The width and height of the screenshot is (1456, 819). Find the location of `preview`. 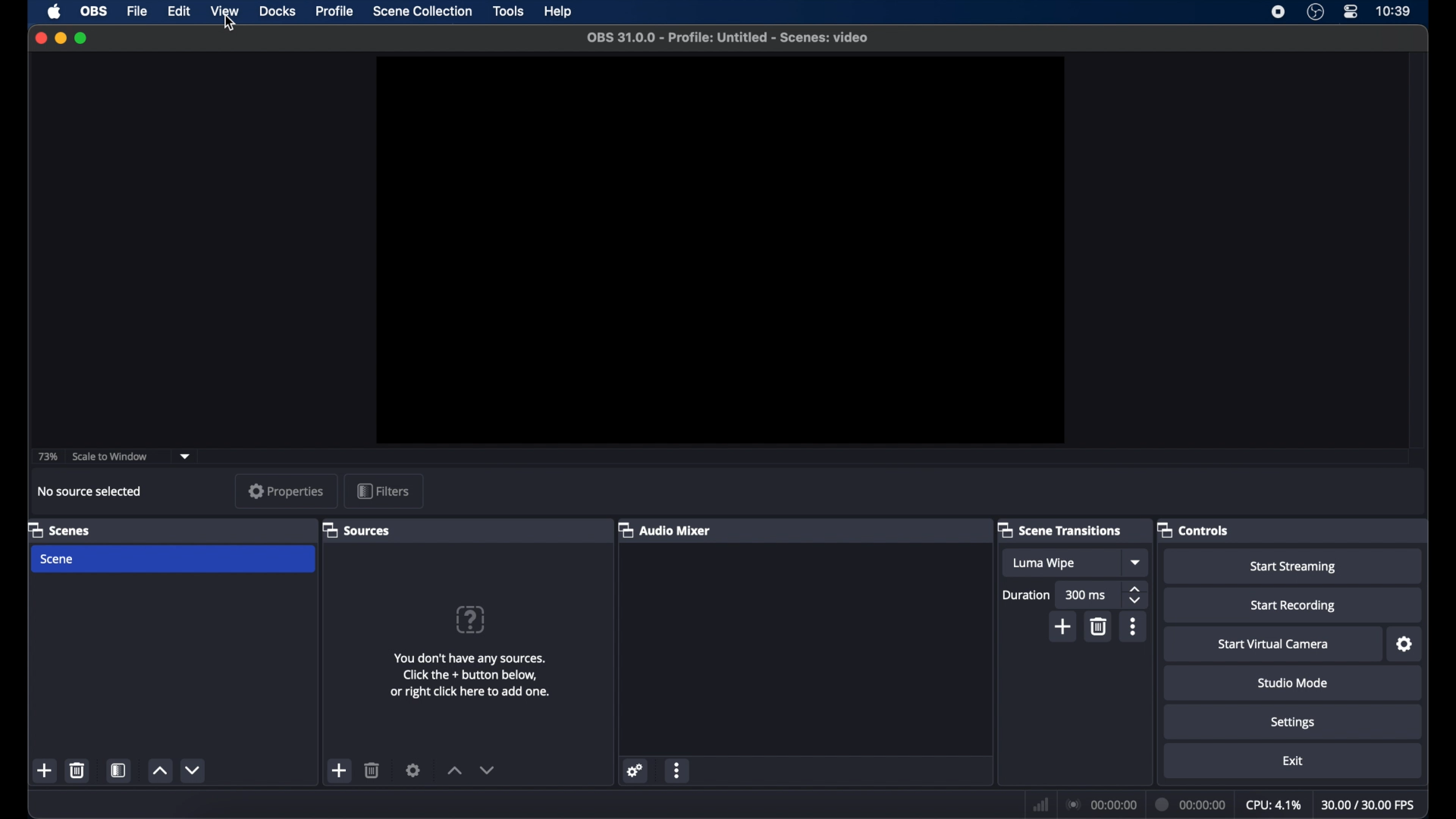

preview is located at coordinates (720, 250).